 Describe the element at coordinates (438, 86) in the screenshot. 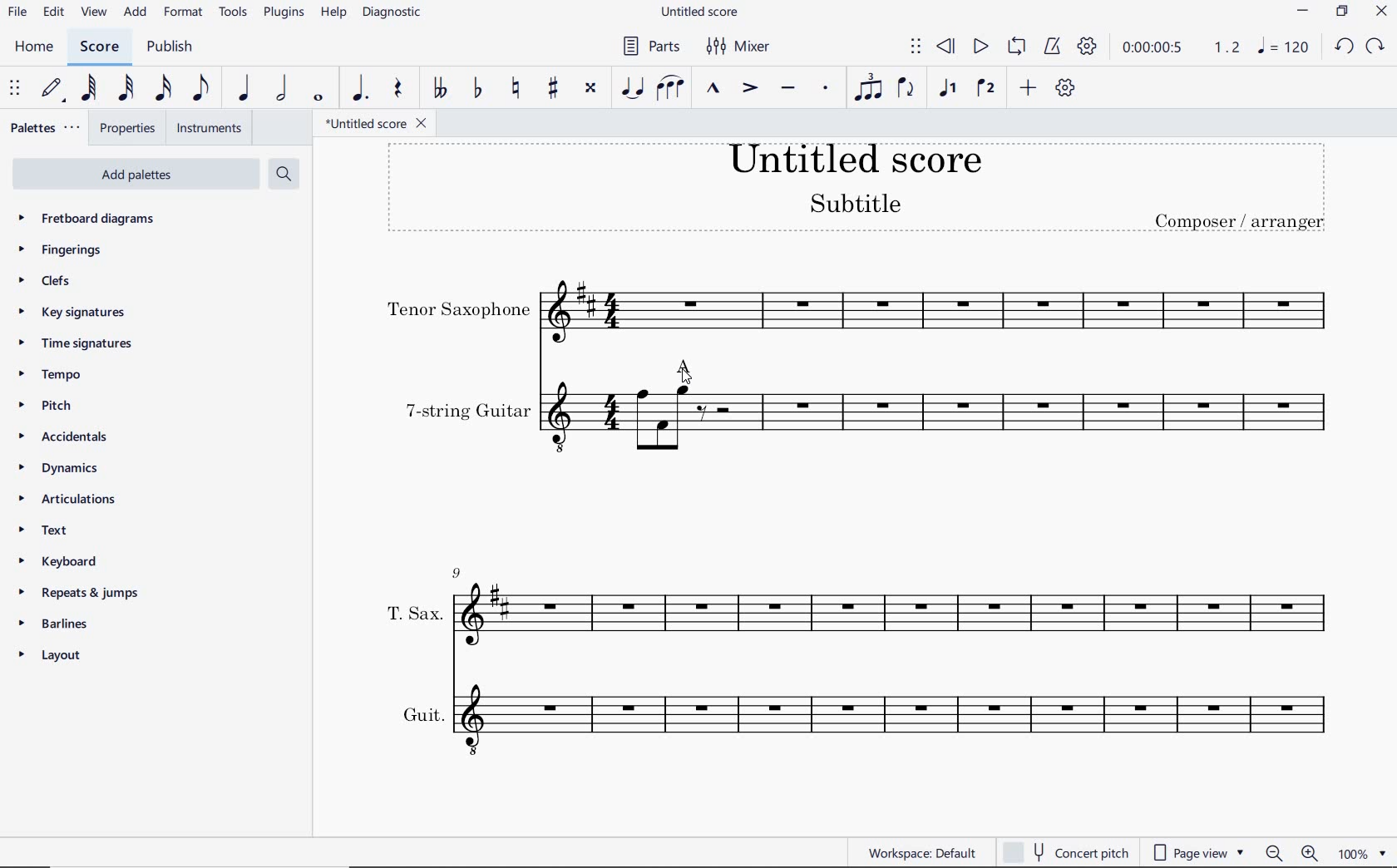

I see `TOGGLE-DOUBLE FLAT` at that location.